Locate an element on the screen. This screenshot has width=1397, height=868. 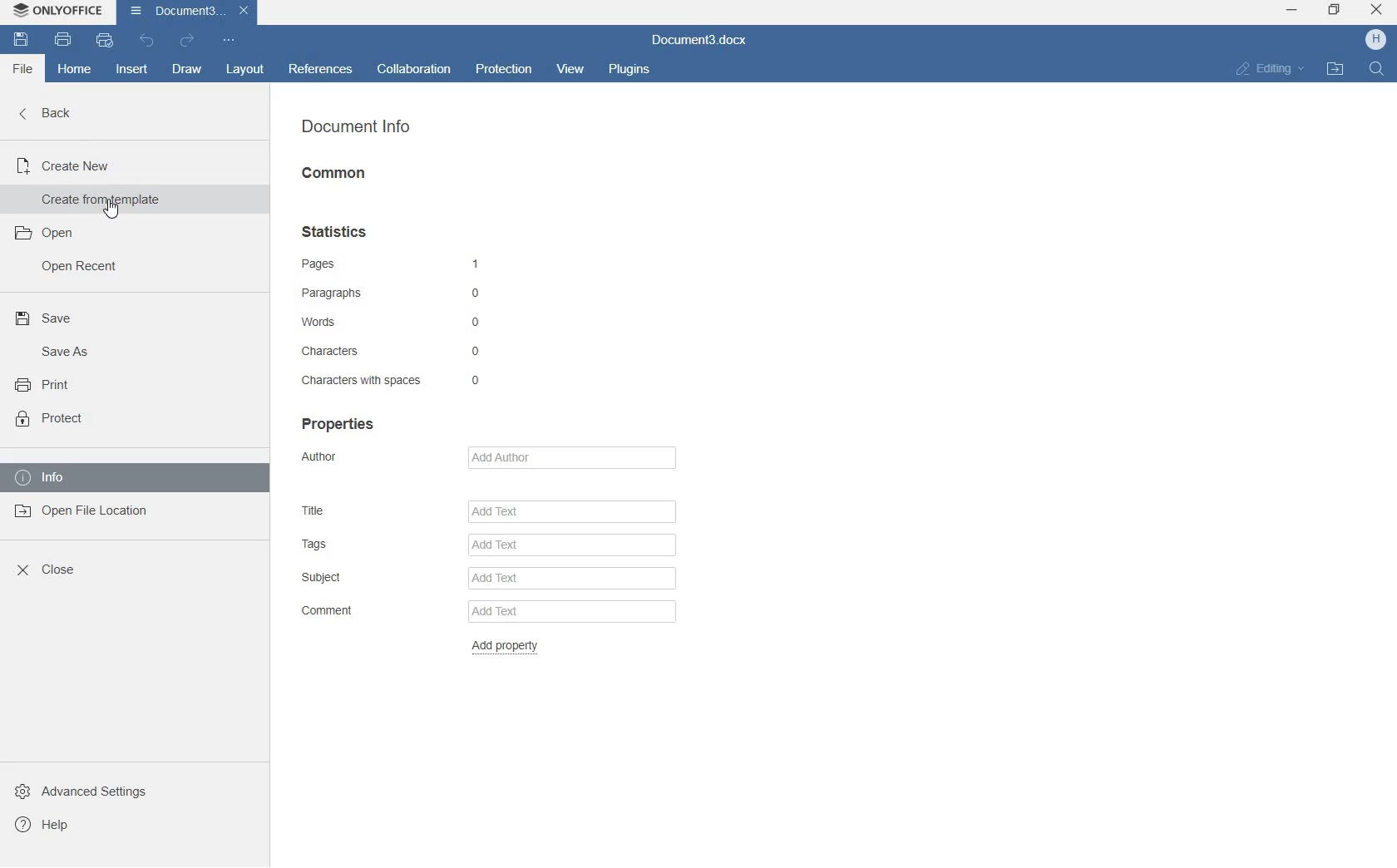
pages 1 is located at coordinates (390, 263).